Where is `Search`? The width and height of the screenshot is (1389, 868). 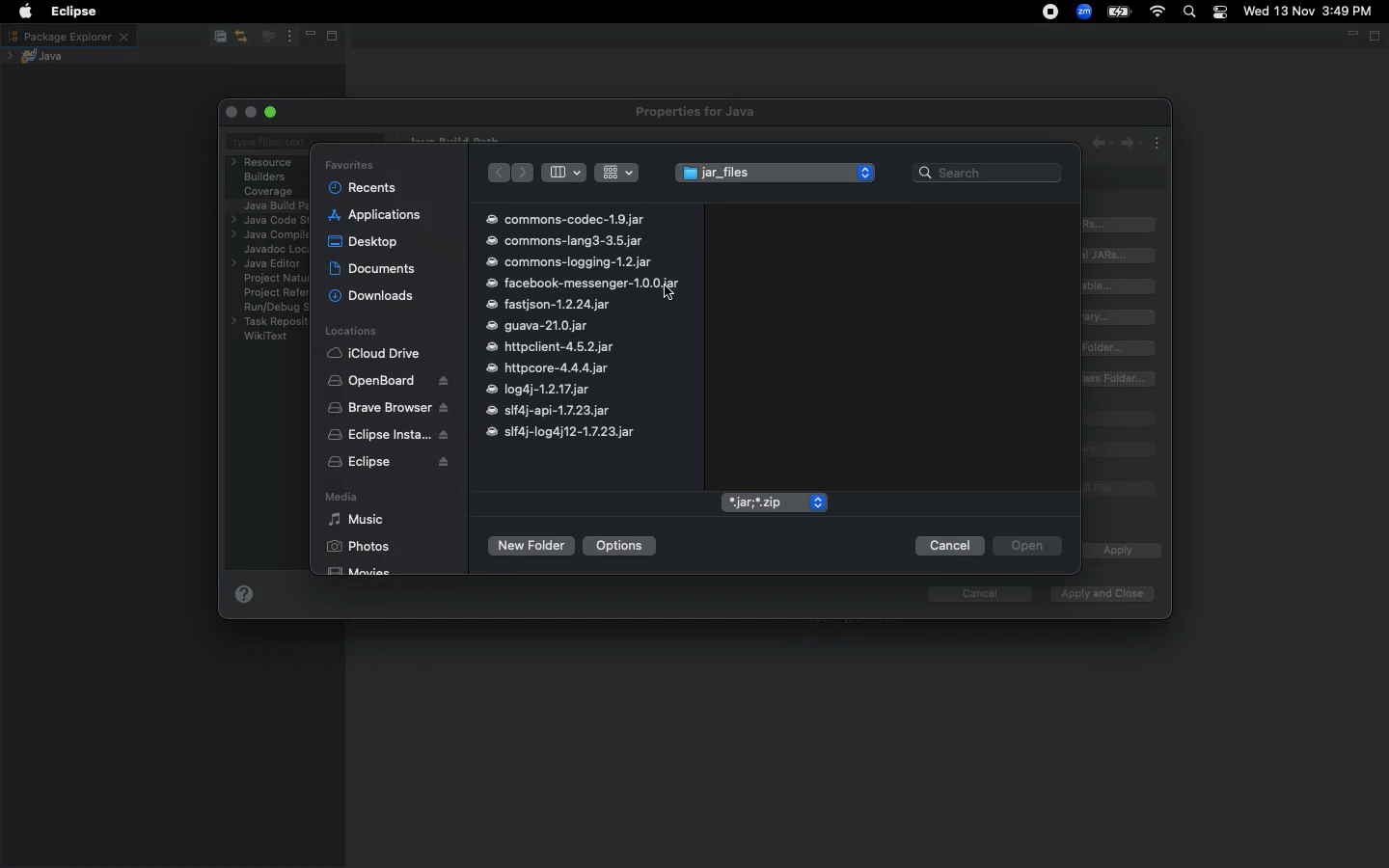 Search is located at coordinates (988, 171).